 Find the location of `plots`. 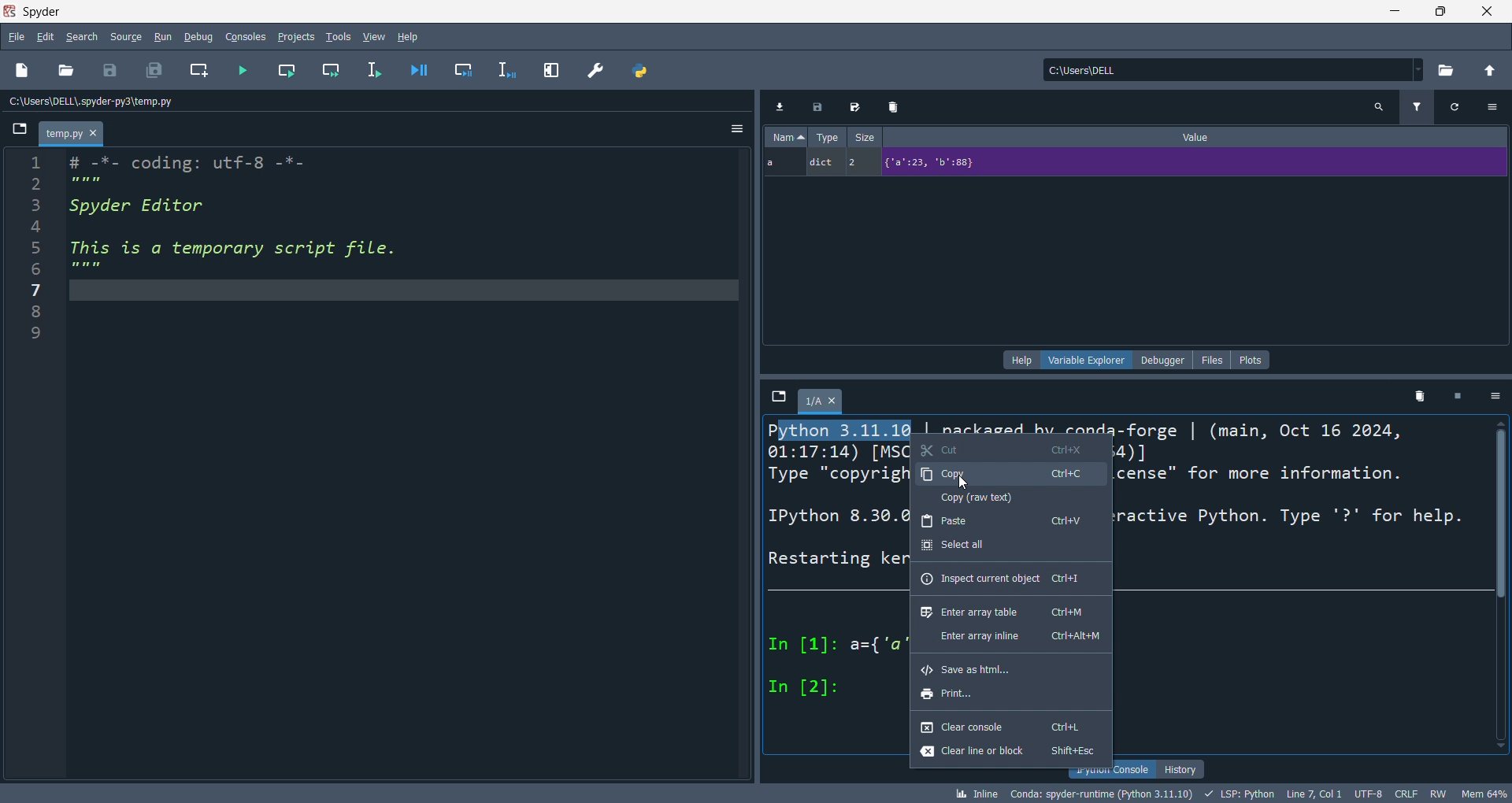

plots is located at coordinates (1252, 360).